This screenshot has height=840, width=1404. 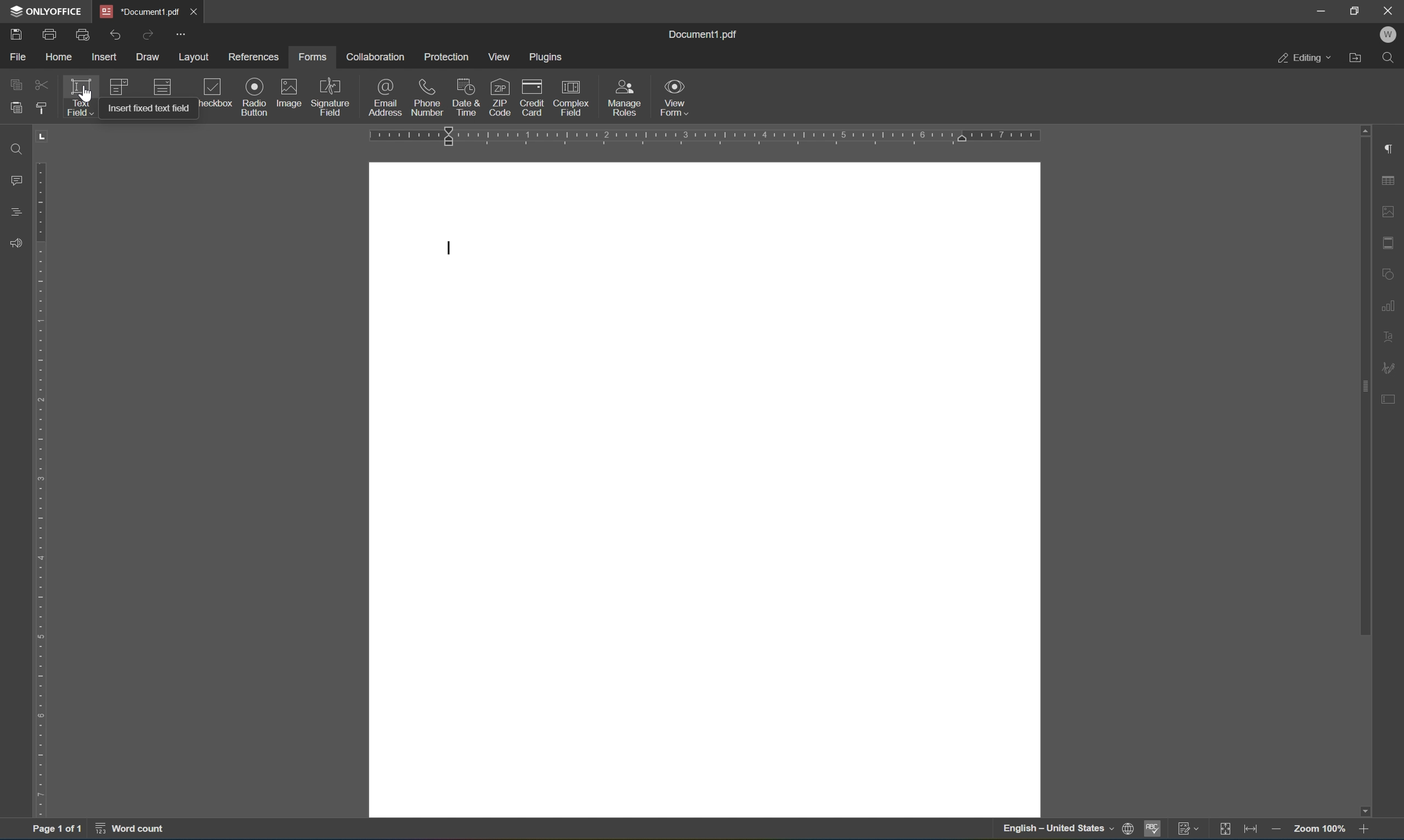 I want to click on table settings, so click(x=1390, y=182).